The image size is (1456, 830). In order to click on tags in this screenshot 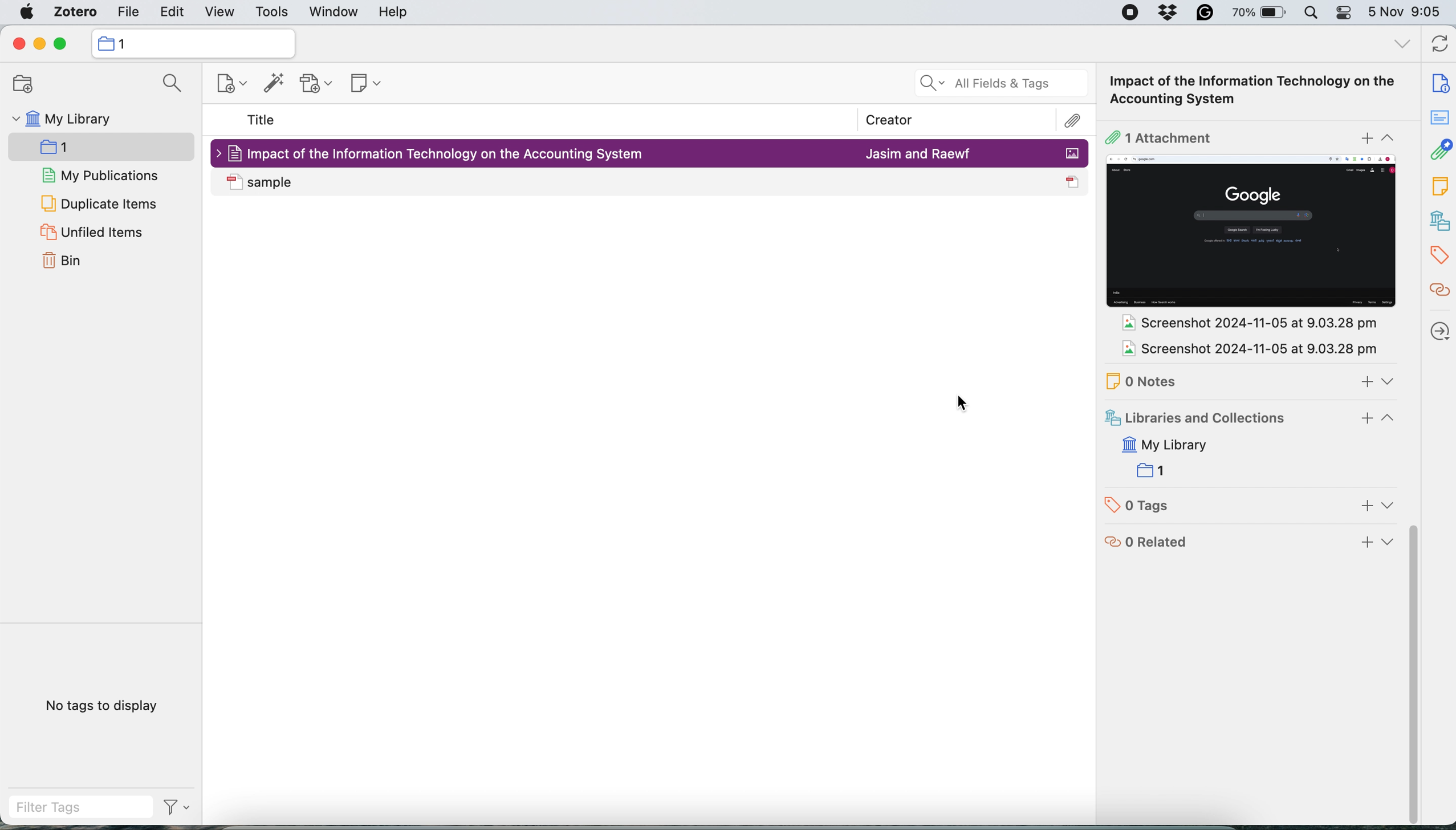, I will do `click(1437, 254)`.